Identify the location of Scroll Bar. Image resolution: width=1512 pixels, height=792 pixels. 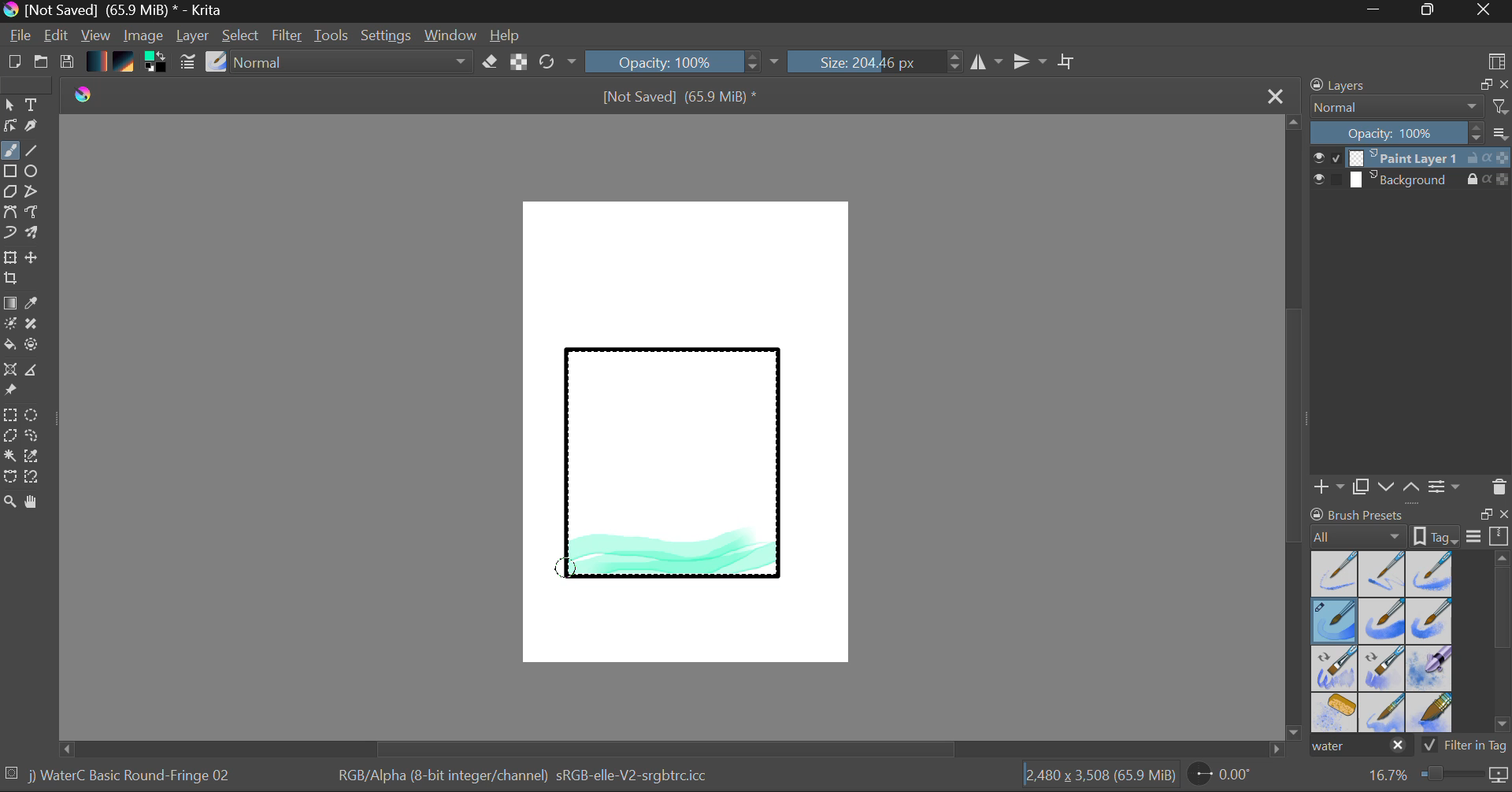
(1295, 429).